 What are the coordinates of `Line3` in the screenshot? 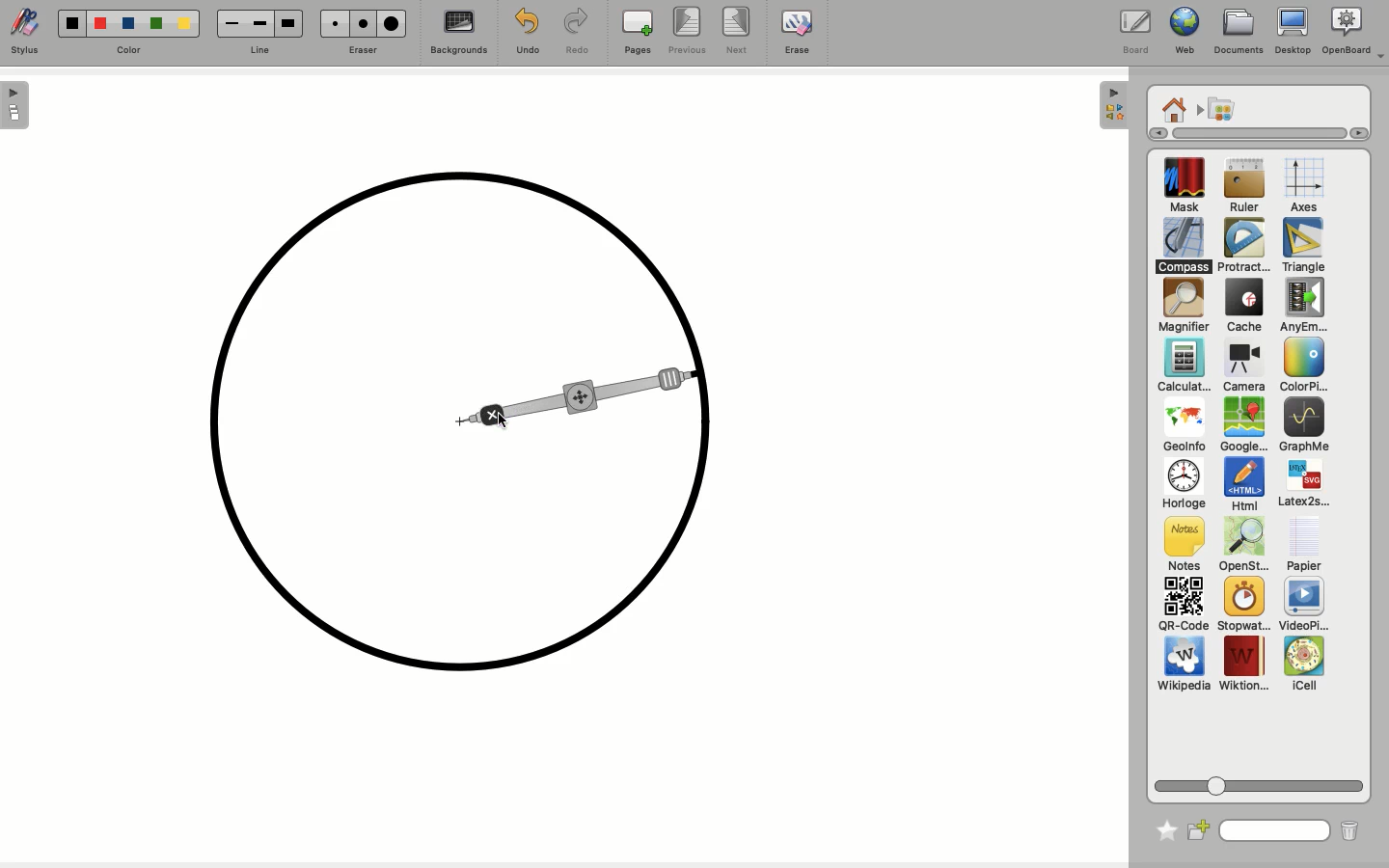 It's located at (286, 23).